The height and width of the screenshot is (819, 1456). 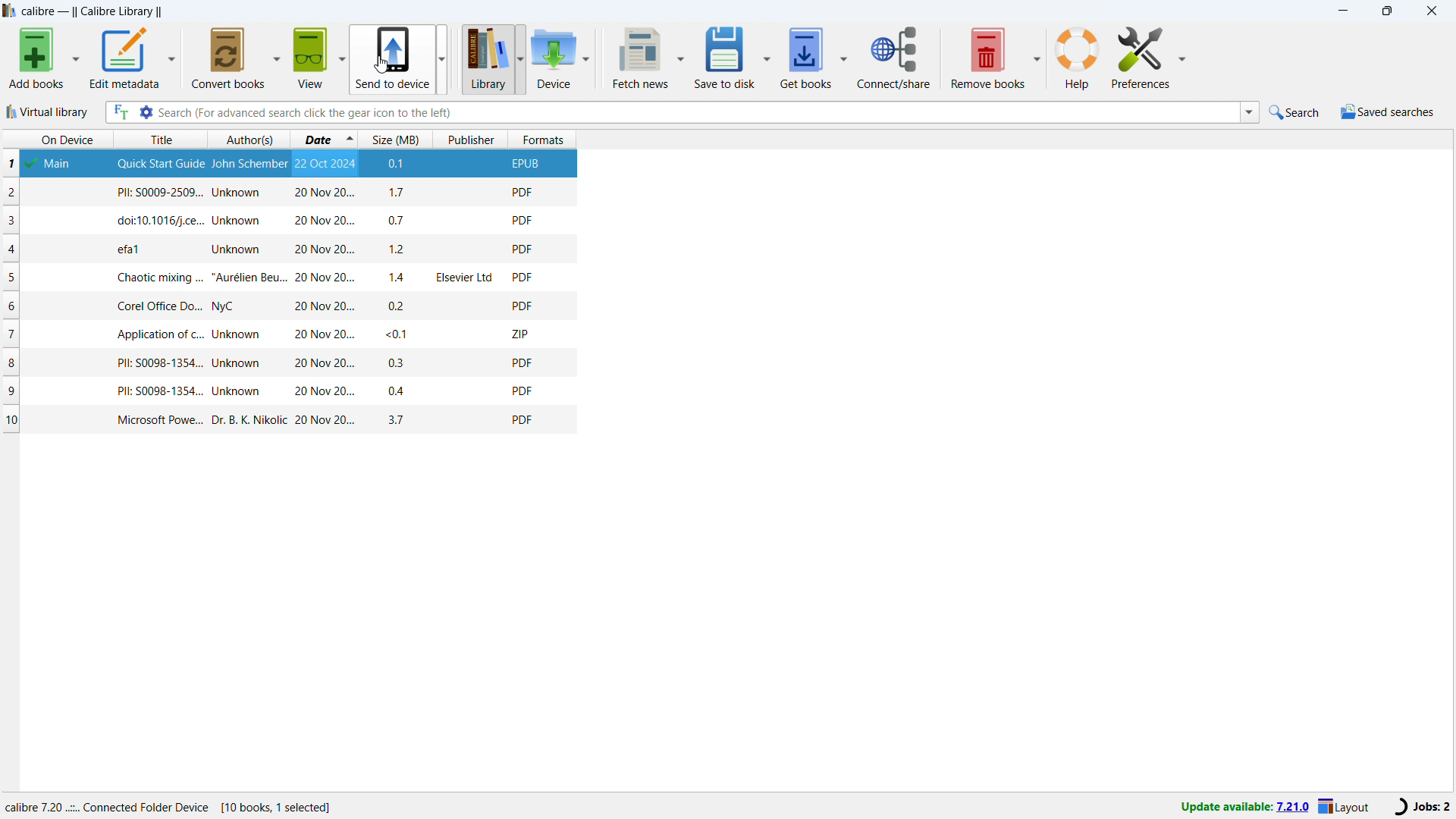 What do you see at coordinates (521, 59) in the screenshot?
I see `library options` at bounding box center [521, 59].